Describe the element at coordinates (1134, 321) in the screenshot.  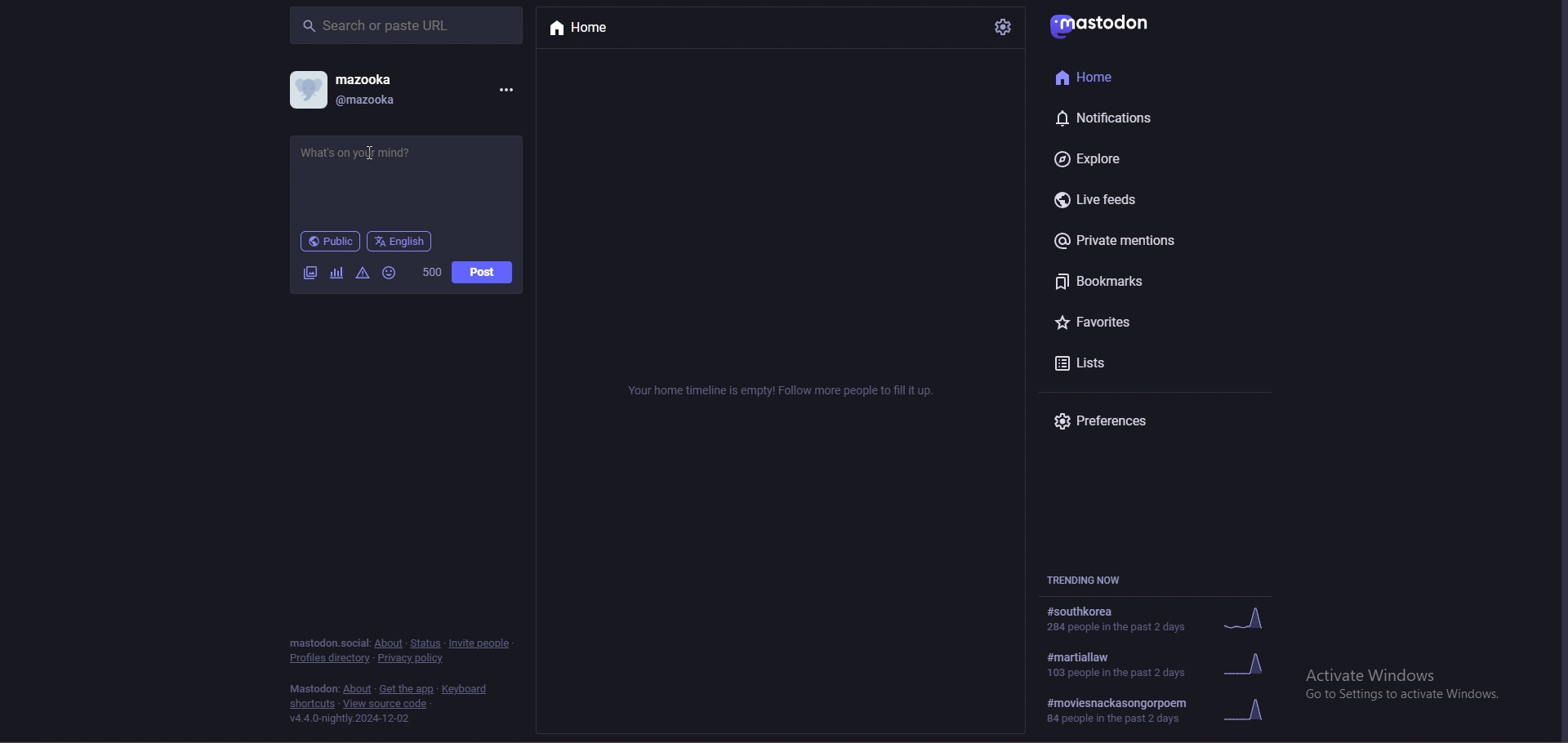
I see `favourites` at that location.